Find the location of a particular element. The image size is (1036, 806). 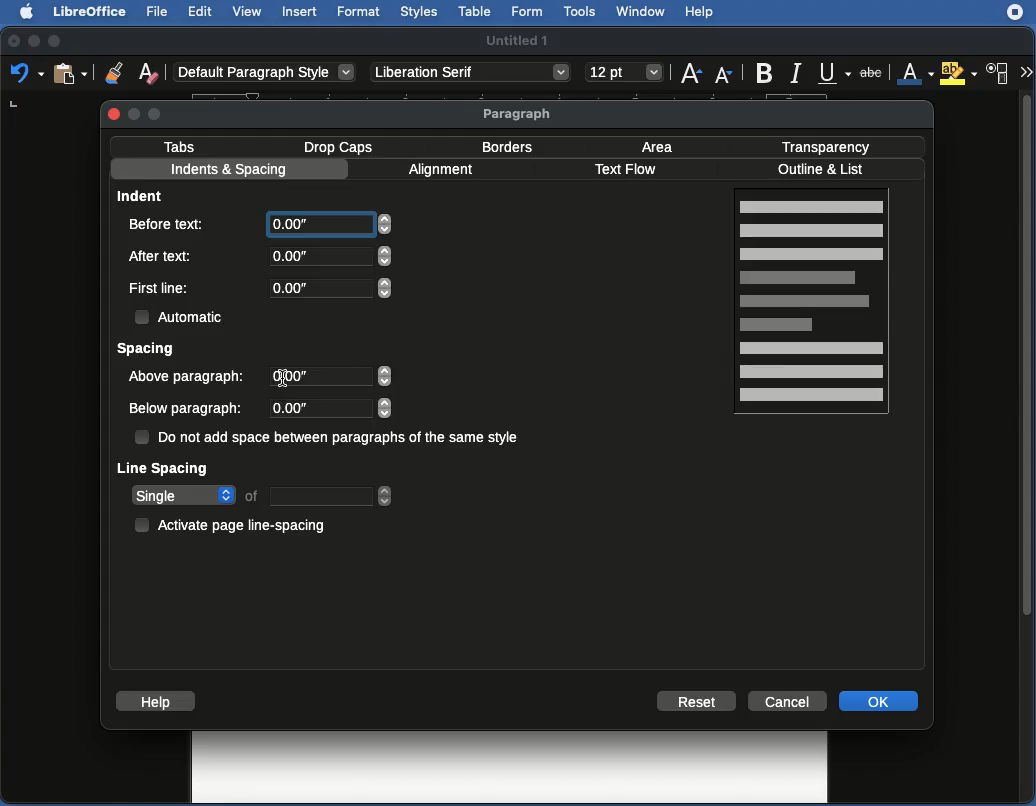

View is located at coordinates (249, 13).